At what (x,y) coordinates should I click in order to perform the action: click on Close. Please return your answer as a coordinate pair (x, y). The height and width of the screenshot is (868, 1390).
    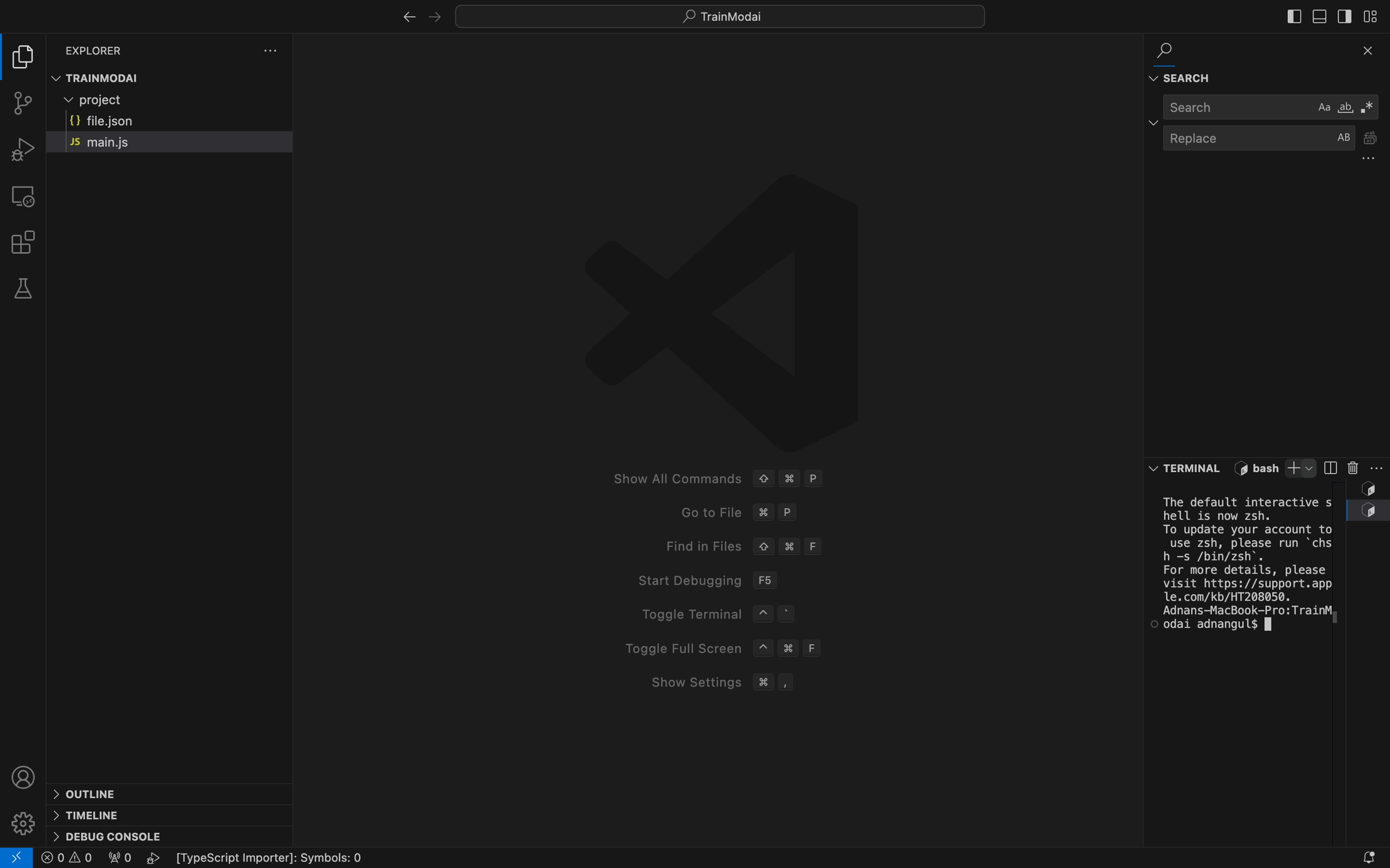
    Looking at the image, I should click on (1371, 53).